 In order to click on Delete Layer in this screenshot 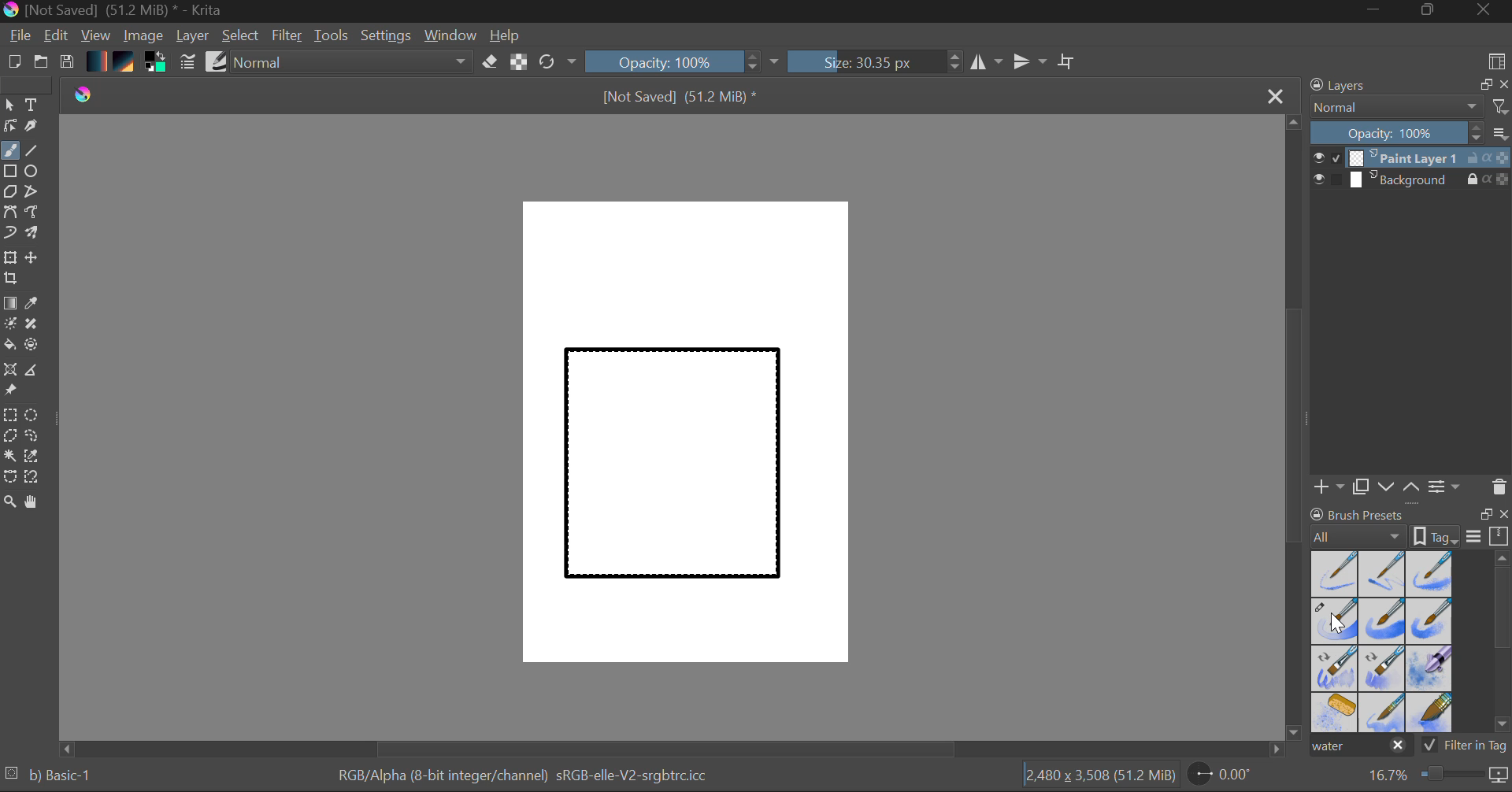, I will do `click(1499, 487)`.